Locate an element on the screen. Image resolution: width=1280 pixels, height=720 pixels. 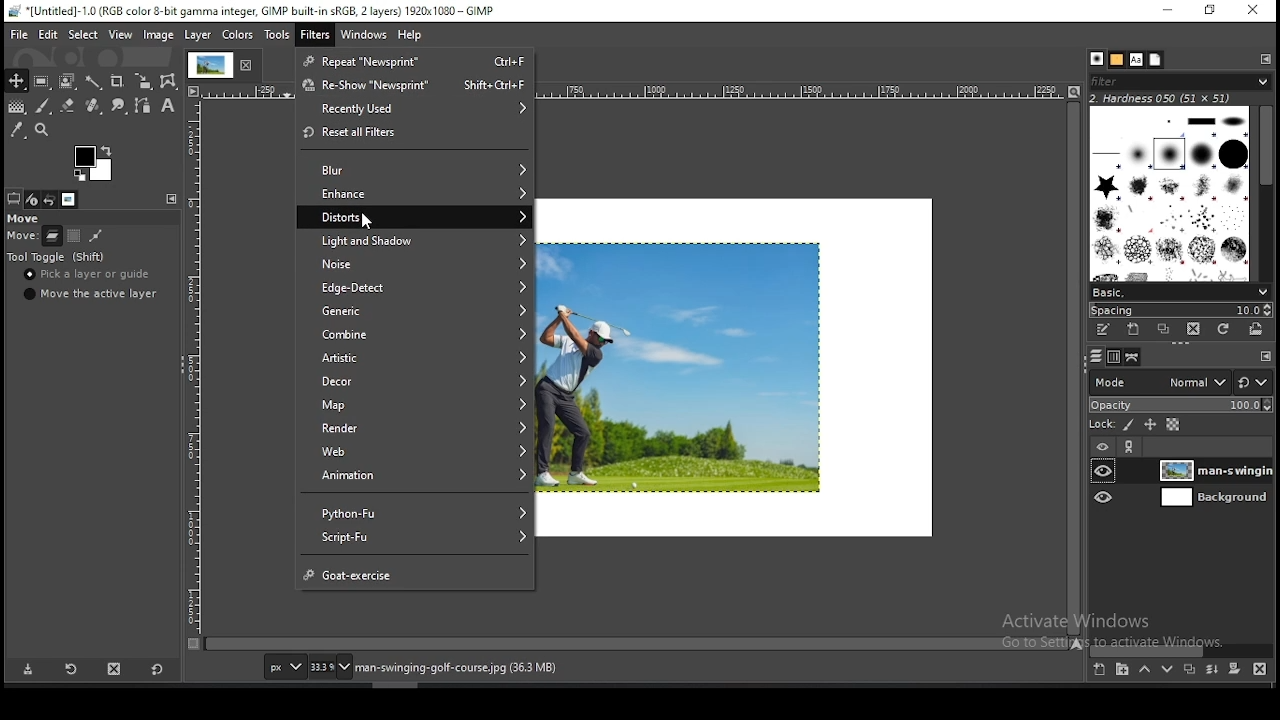
layer visibility on/off is located at coordinates (1103, 472).